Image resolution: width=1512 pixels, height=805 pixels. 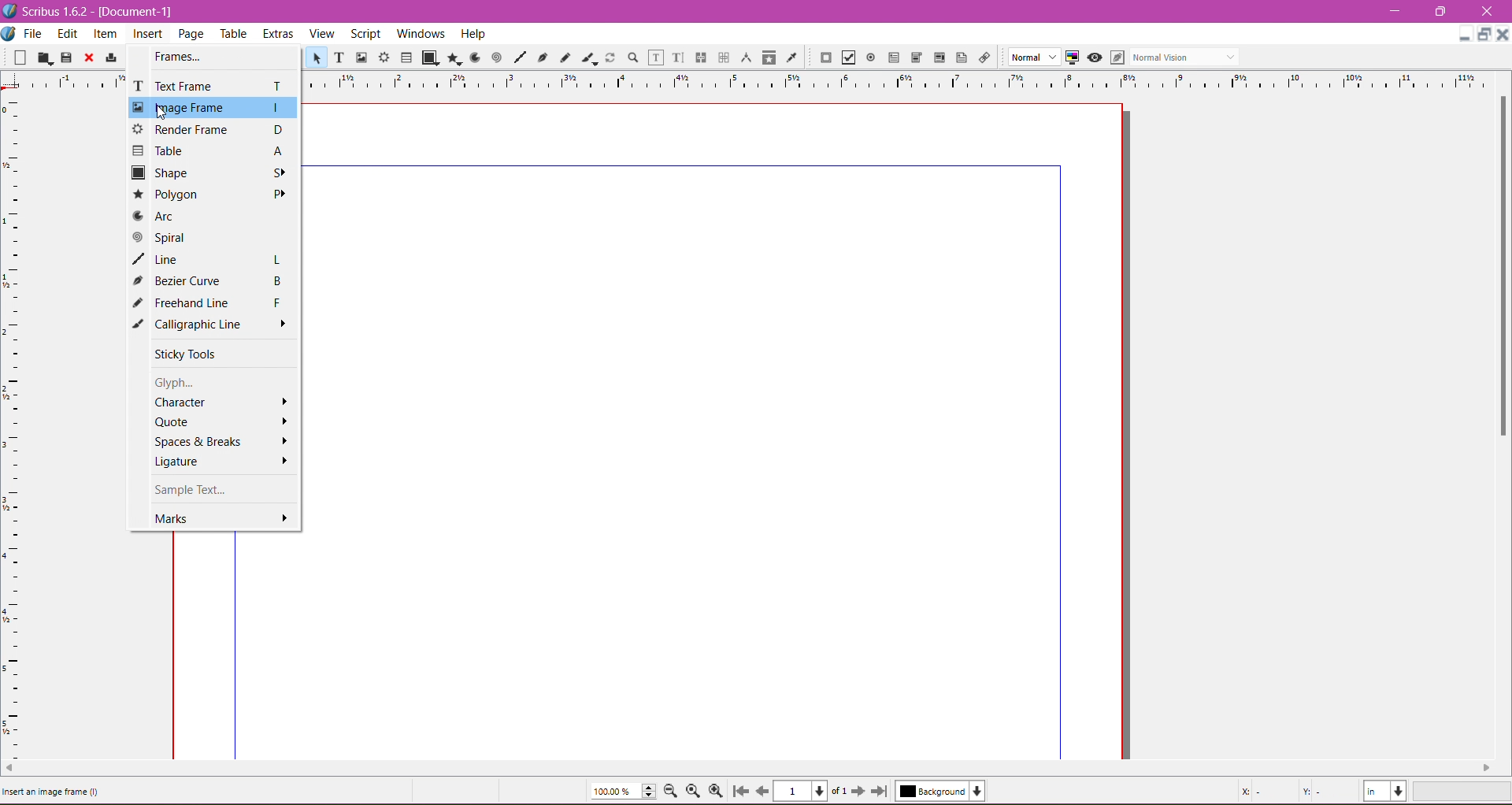 What do you see at coordinates (235, 35) in the screenshot?
I see `Table` at bounding box center [235, 35].